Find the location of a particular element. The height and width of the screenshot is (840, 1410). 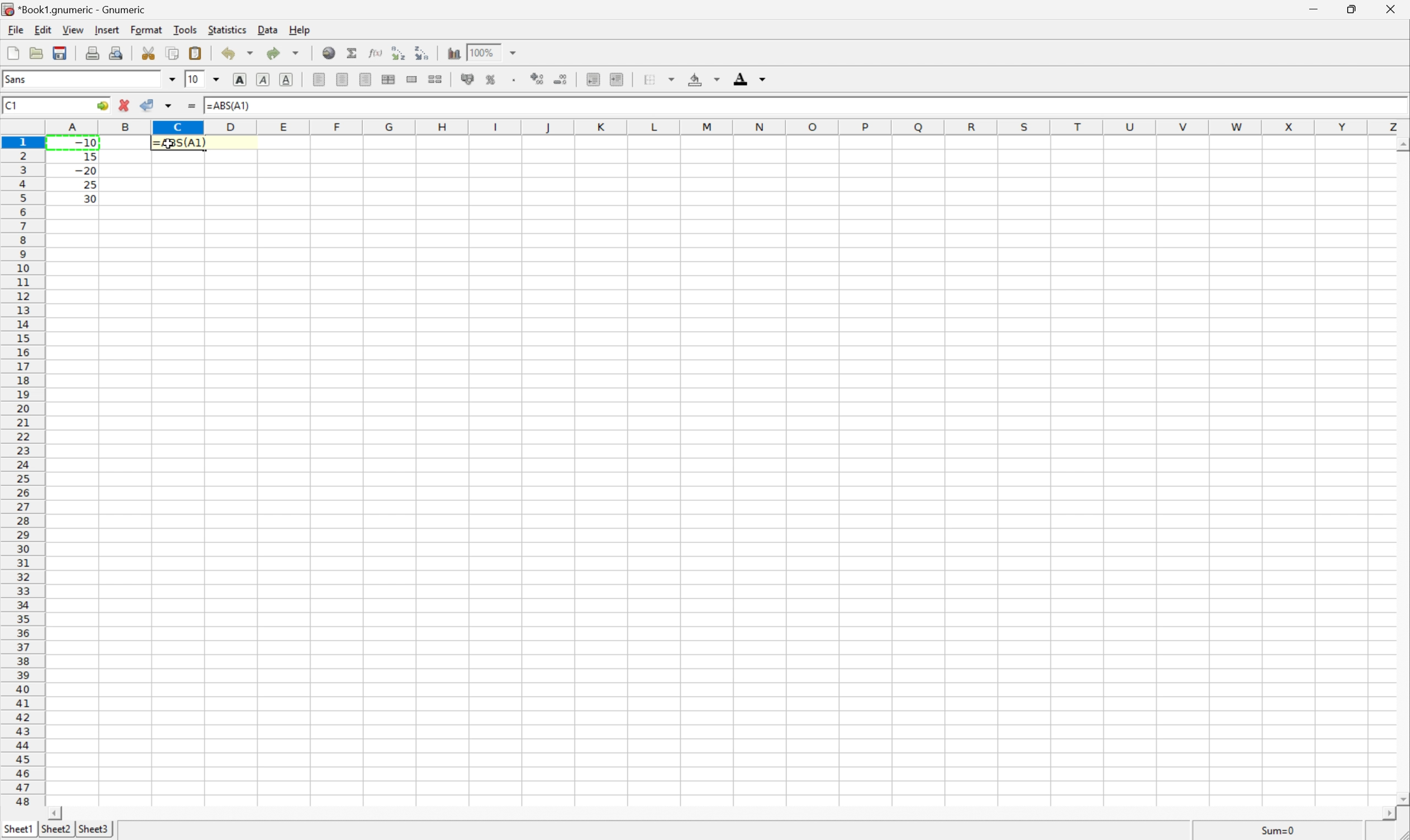

Dorp Down is located at coordinates (763, 80).